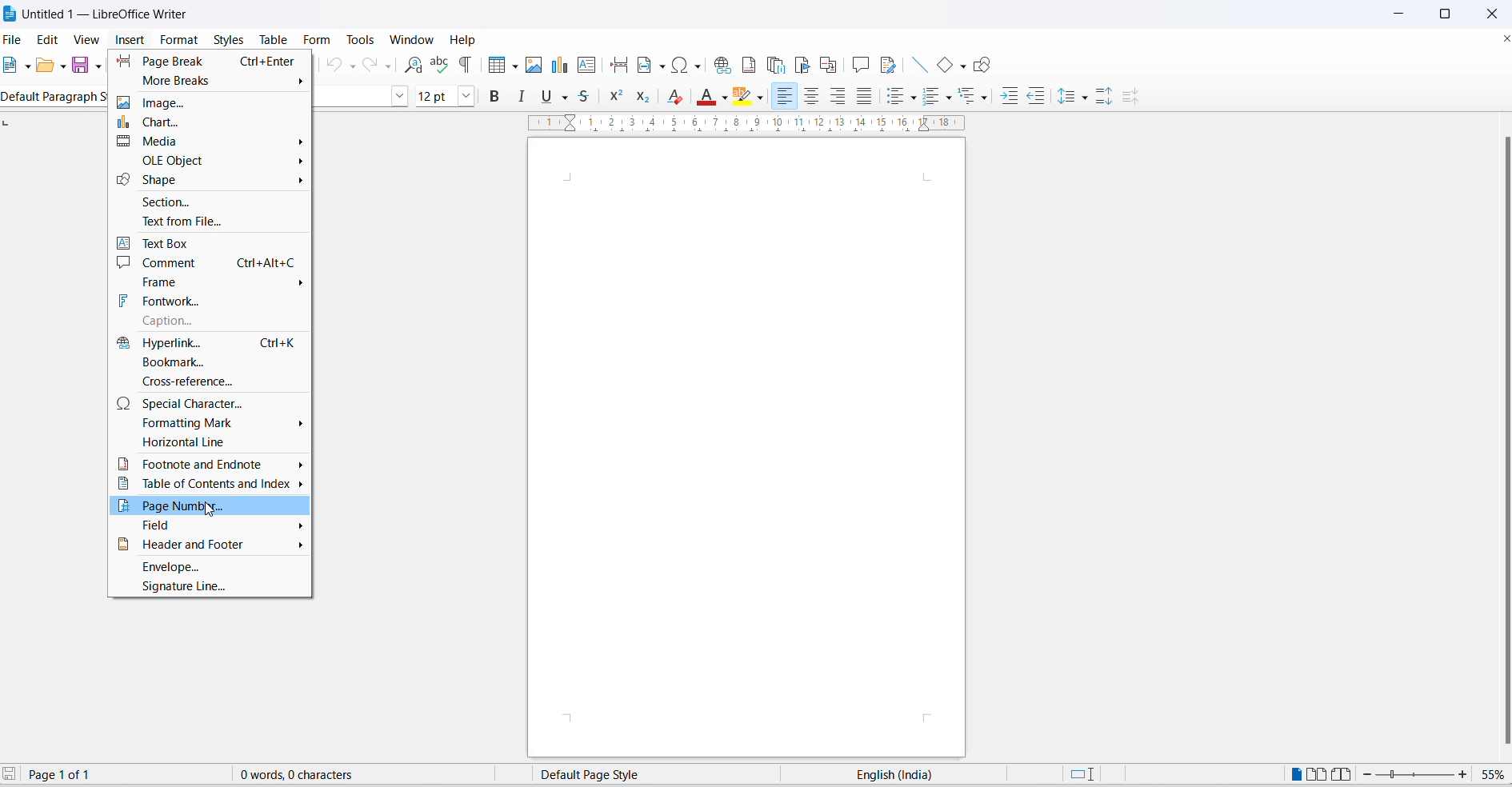  What do you see at coordinates (1130, 98) in the screenshot?
I see `decrease paragraph spacing` at bounding box center [1130, 98].